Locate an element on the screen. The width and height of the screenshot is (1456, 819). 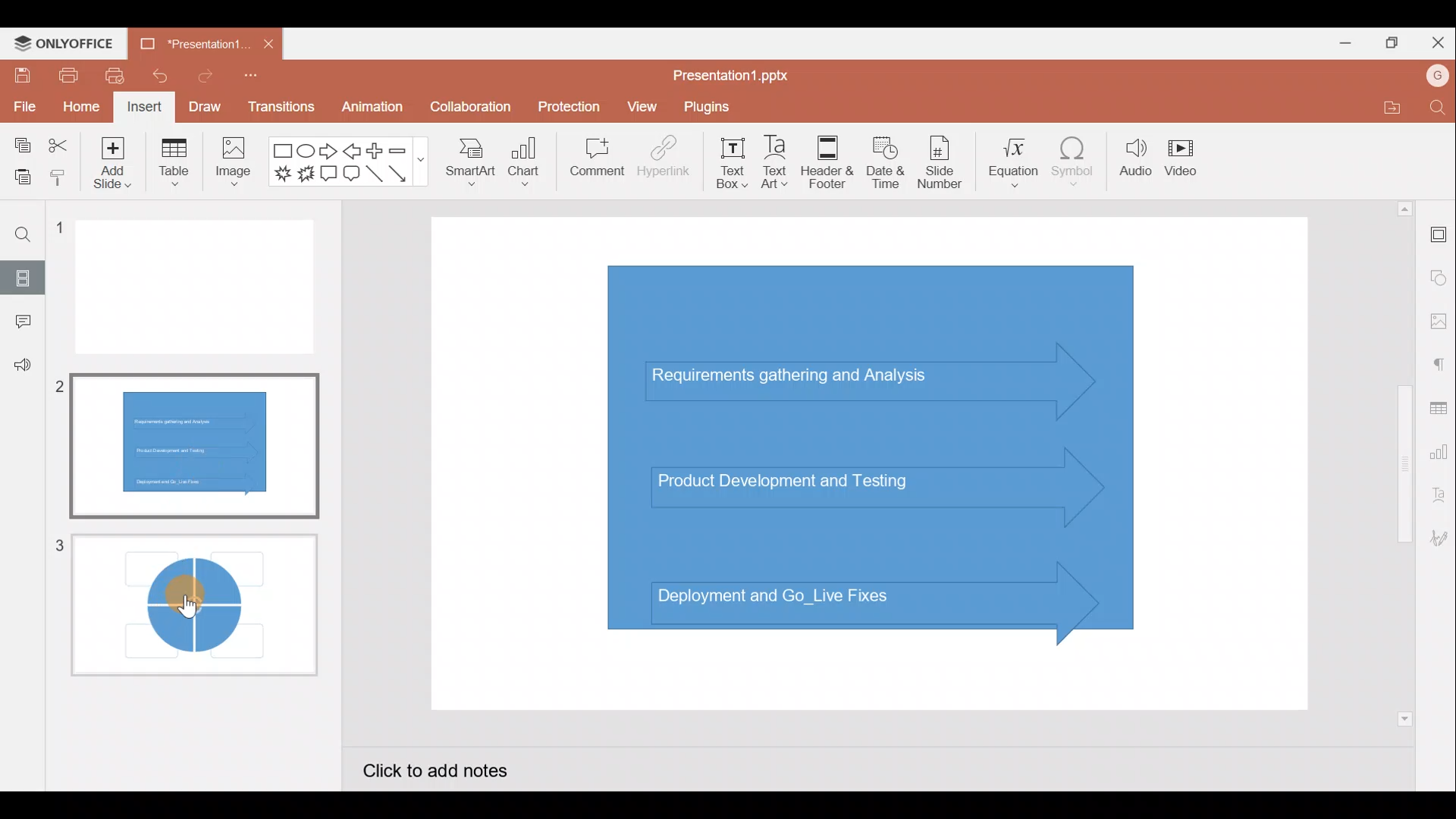
Copy style is located at coordinates (59, 177).